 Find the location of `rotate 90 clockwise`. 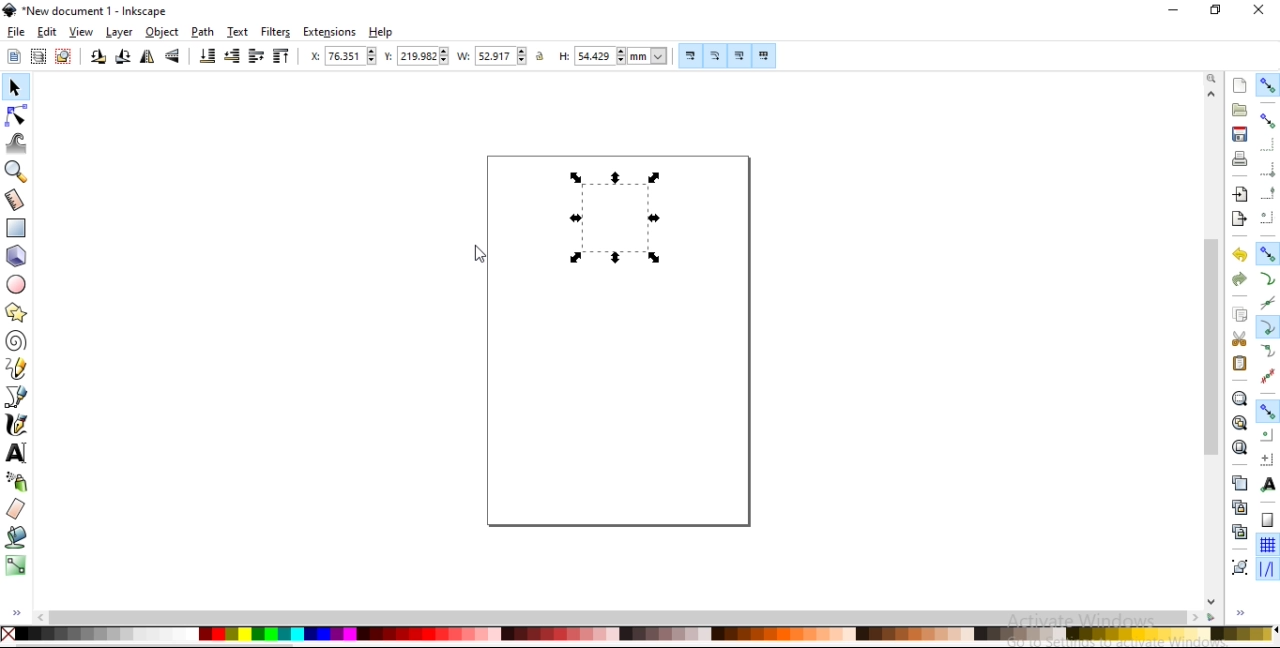

rotate 90 clockwise is located at coordinates (122, 58).